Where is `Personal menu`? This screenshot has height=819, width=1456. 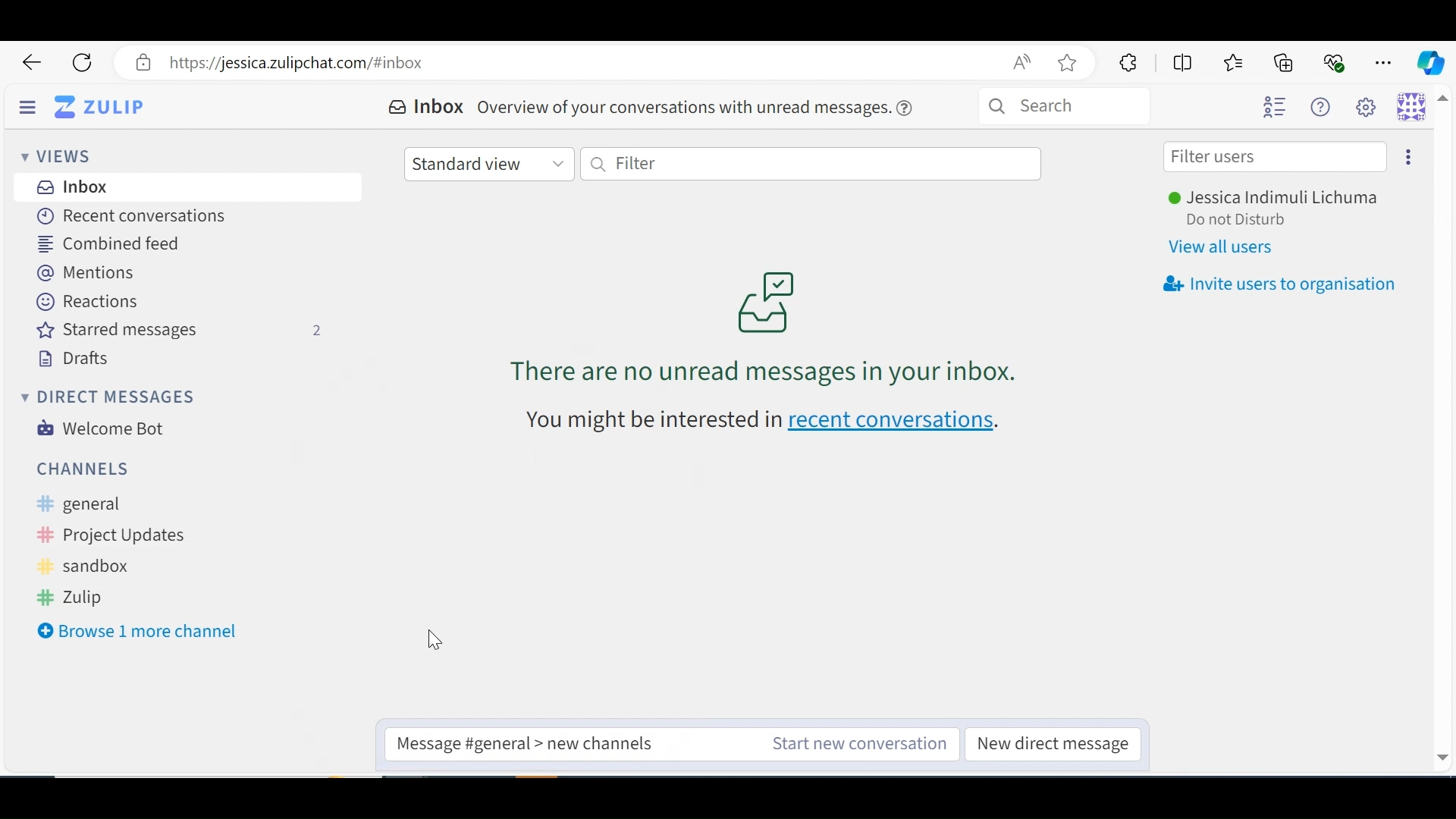
Personal menu is located at coordinates (1414, 108).